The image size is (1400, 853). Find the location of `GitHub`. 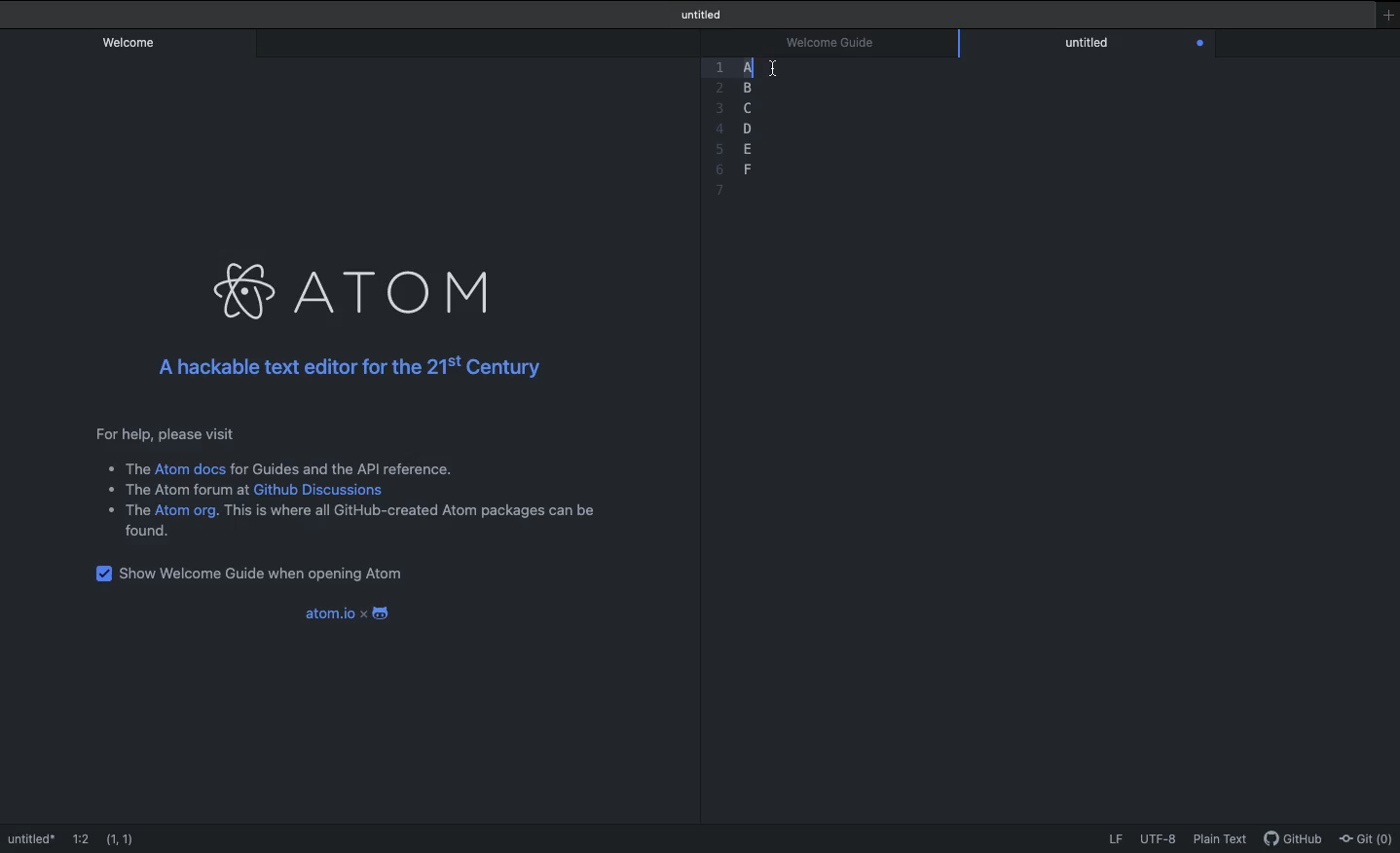

GitHub is located at coordinates (1294, 842).